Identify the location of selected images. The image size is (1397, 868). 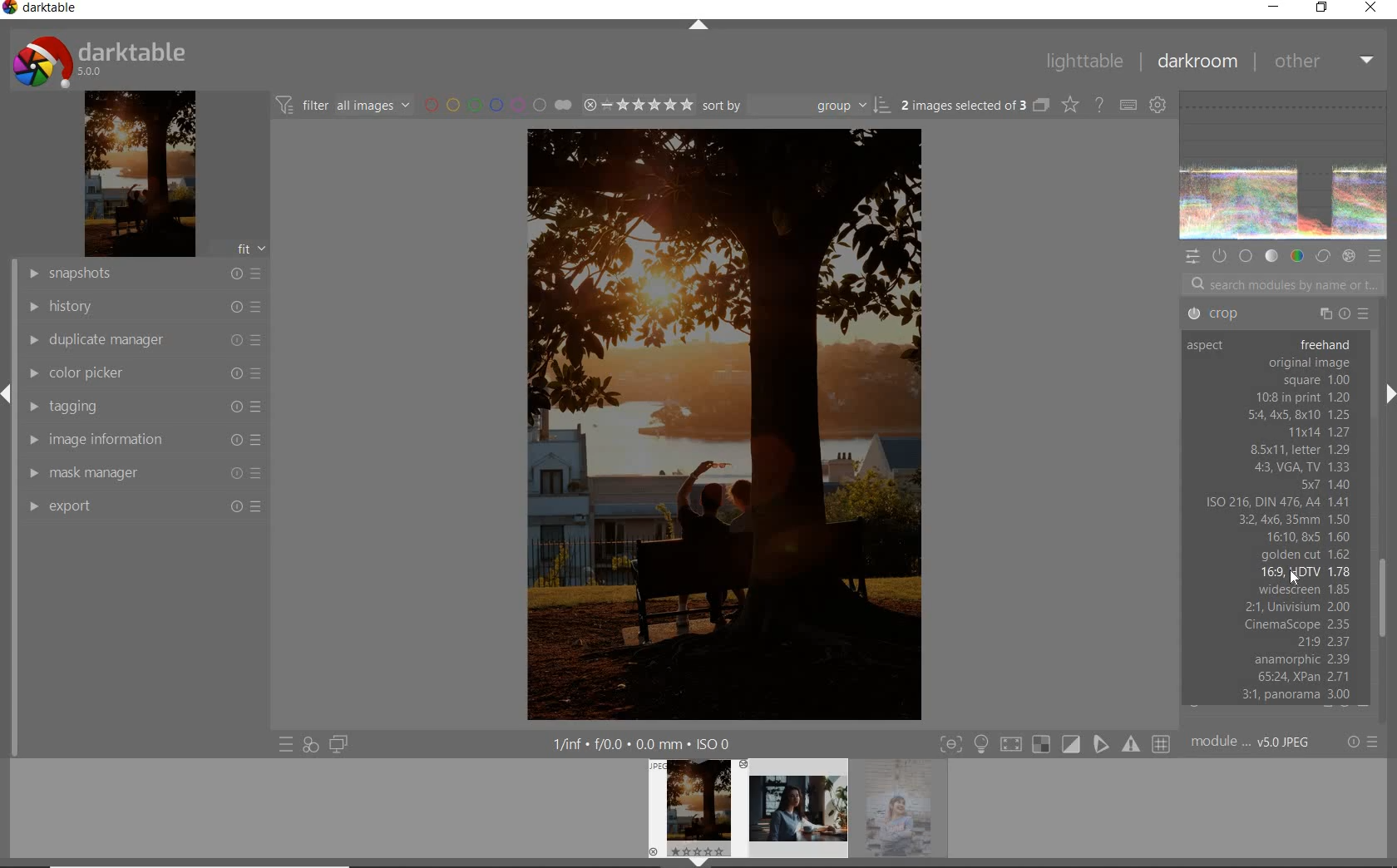
(962, 105).